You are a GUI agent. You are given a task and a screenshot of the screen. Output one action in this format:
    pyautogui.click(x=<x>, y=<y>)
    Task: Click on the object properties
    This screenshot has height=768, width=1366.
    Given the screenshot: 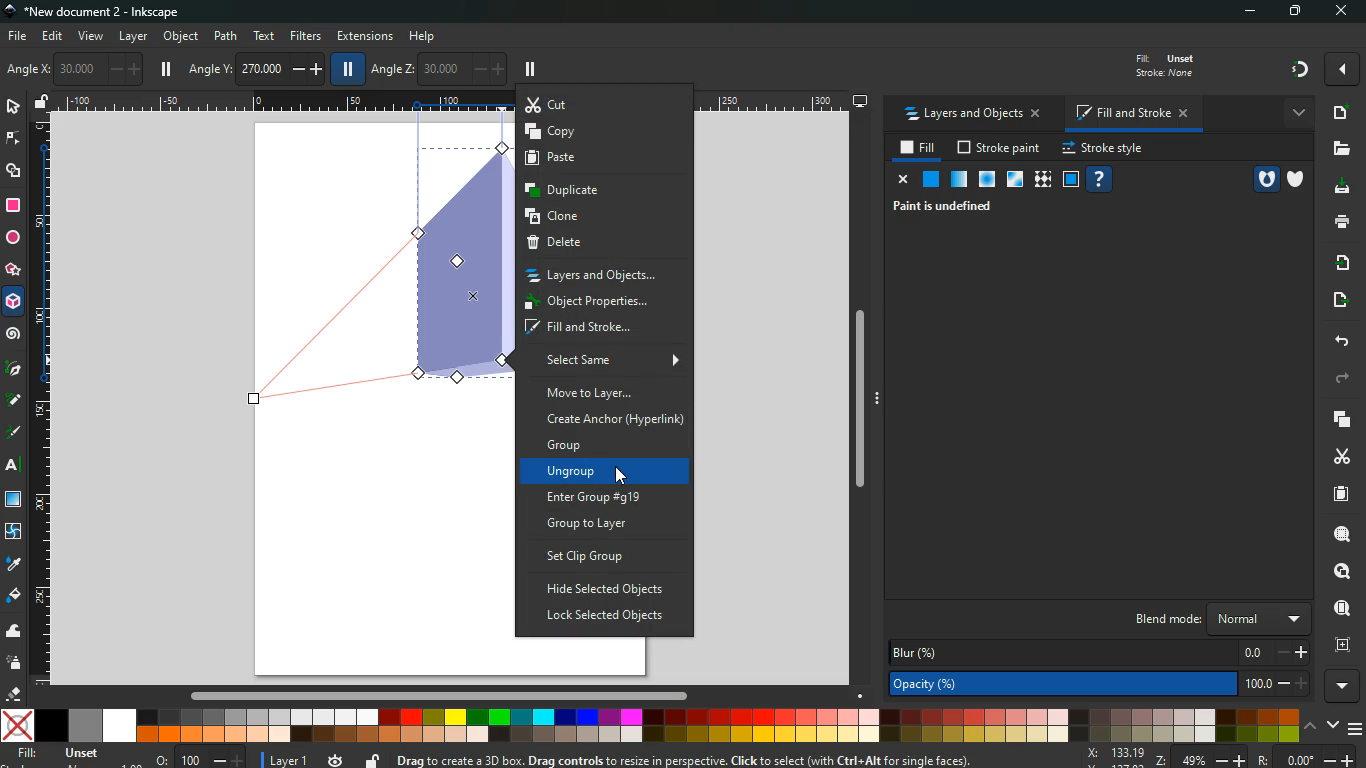 What is the action you would take?
    pyautogui.click(x=601, y=304)
    